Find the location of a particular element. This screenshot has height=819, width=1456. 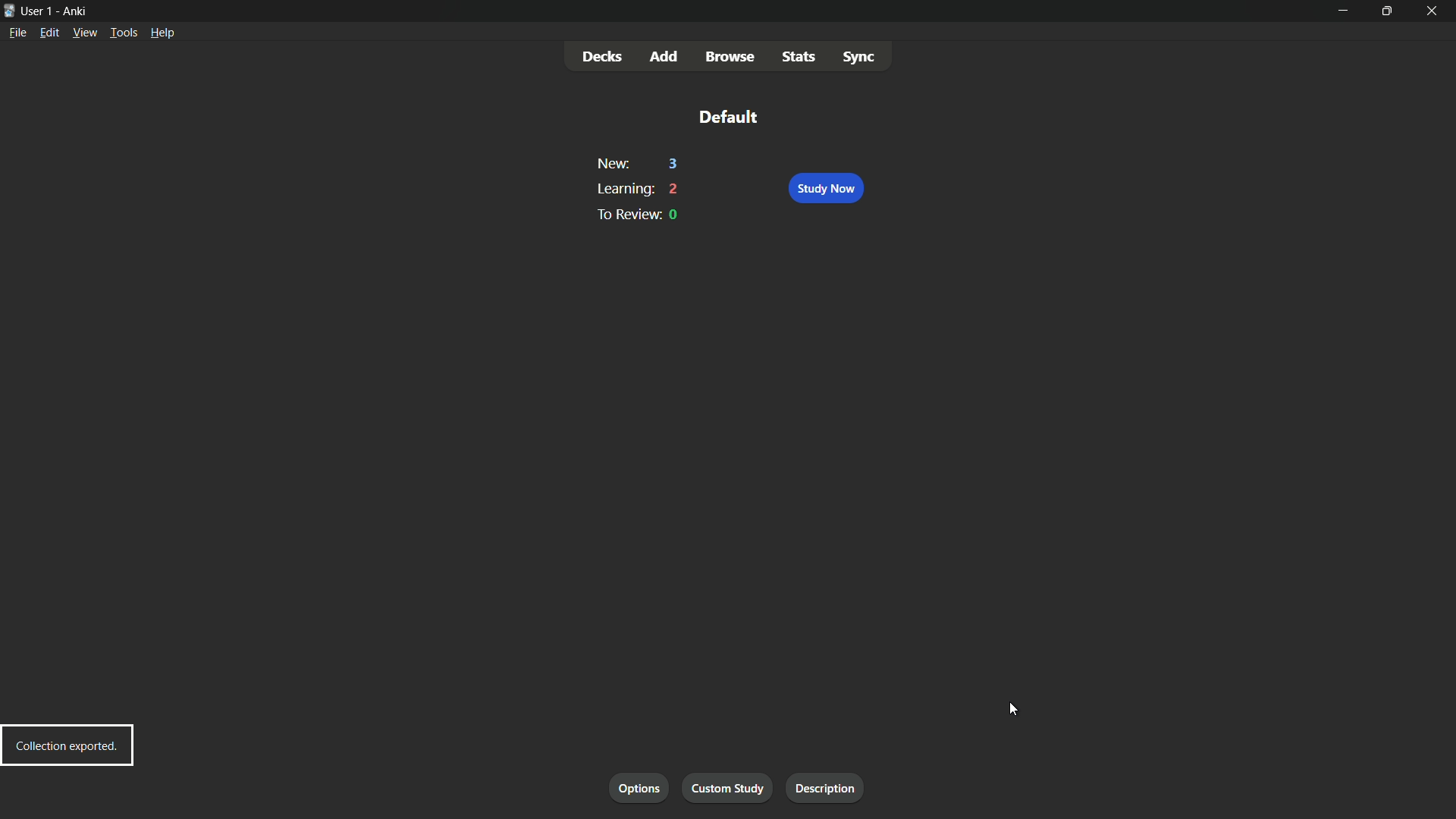

collection exported is located at coordinates (67, 745).